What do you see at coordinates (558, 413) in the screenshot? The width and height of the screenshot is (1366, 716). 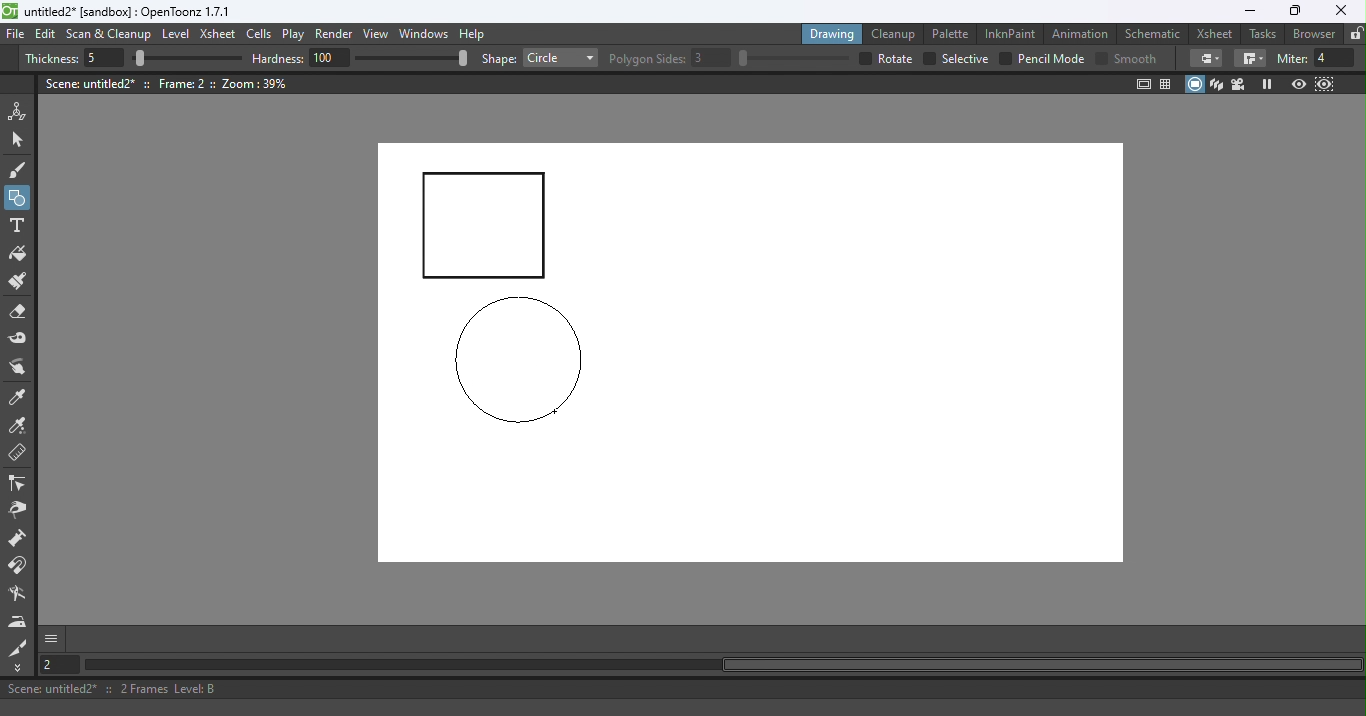 I see `Cursor` at bounding box center [558, 413].